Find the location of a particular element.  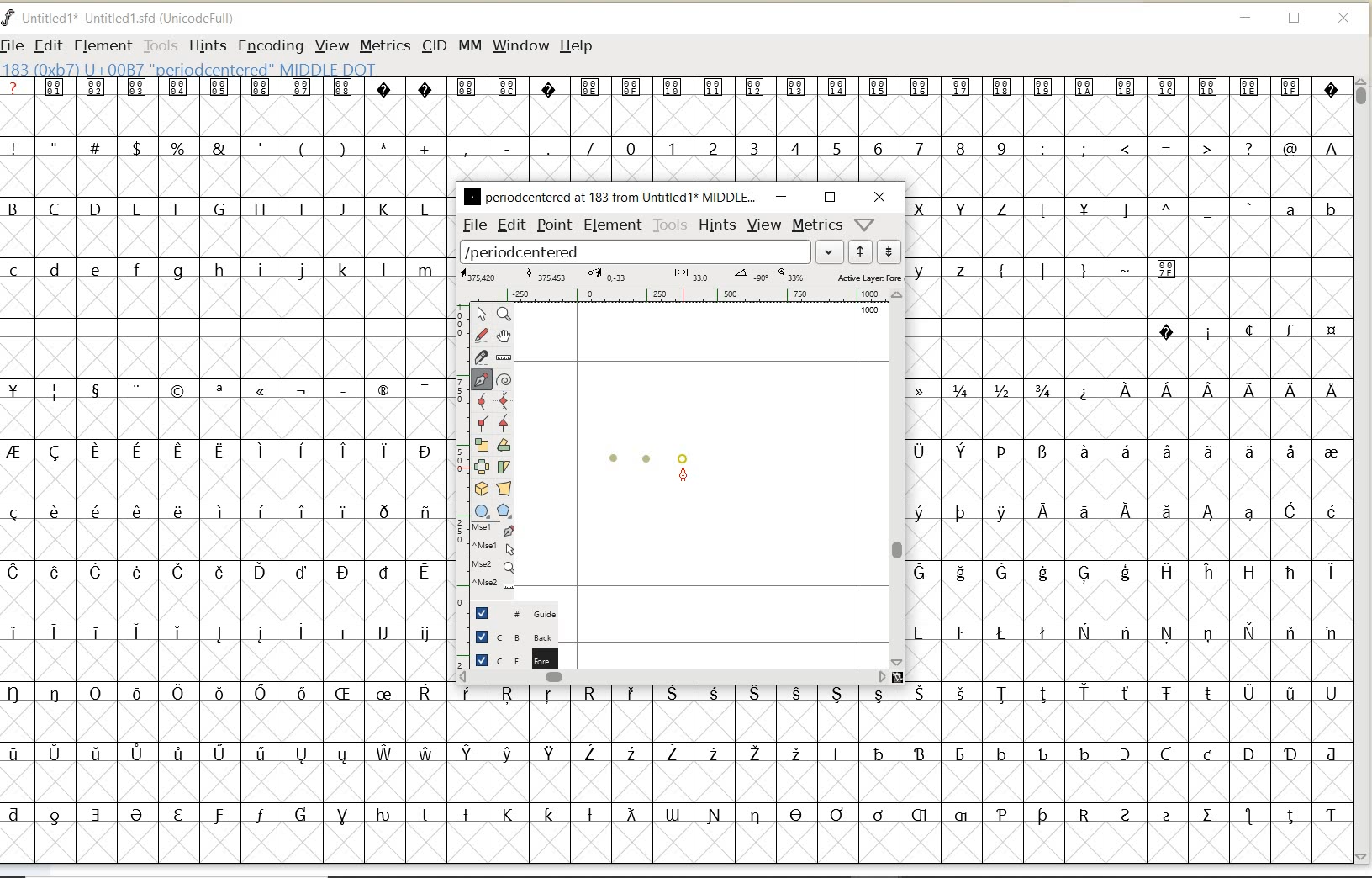

add a point, then drag out its control points is located at coordinates (482, 378).